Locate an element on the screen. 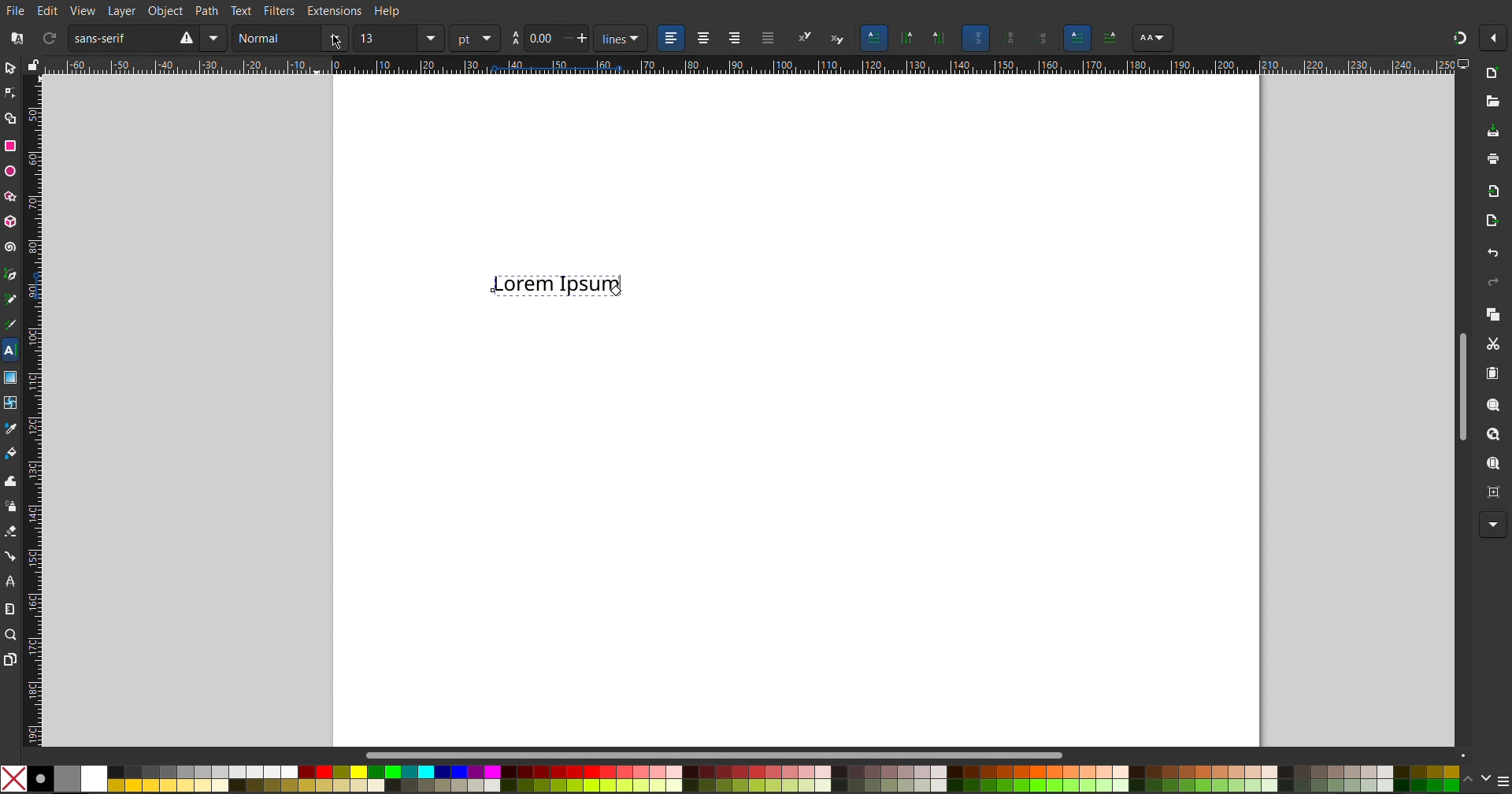 Image resolution: width=1512 pixels, height=794 pixels. Center Align is located at coordinates (702, 39).